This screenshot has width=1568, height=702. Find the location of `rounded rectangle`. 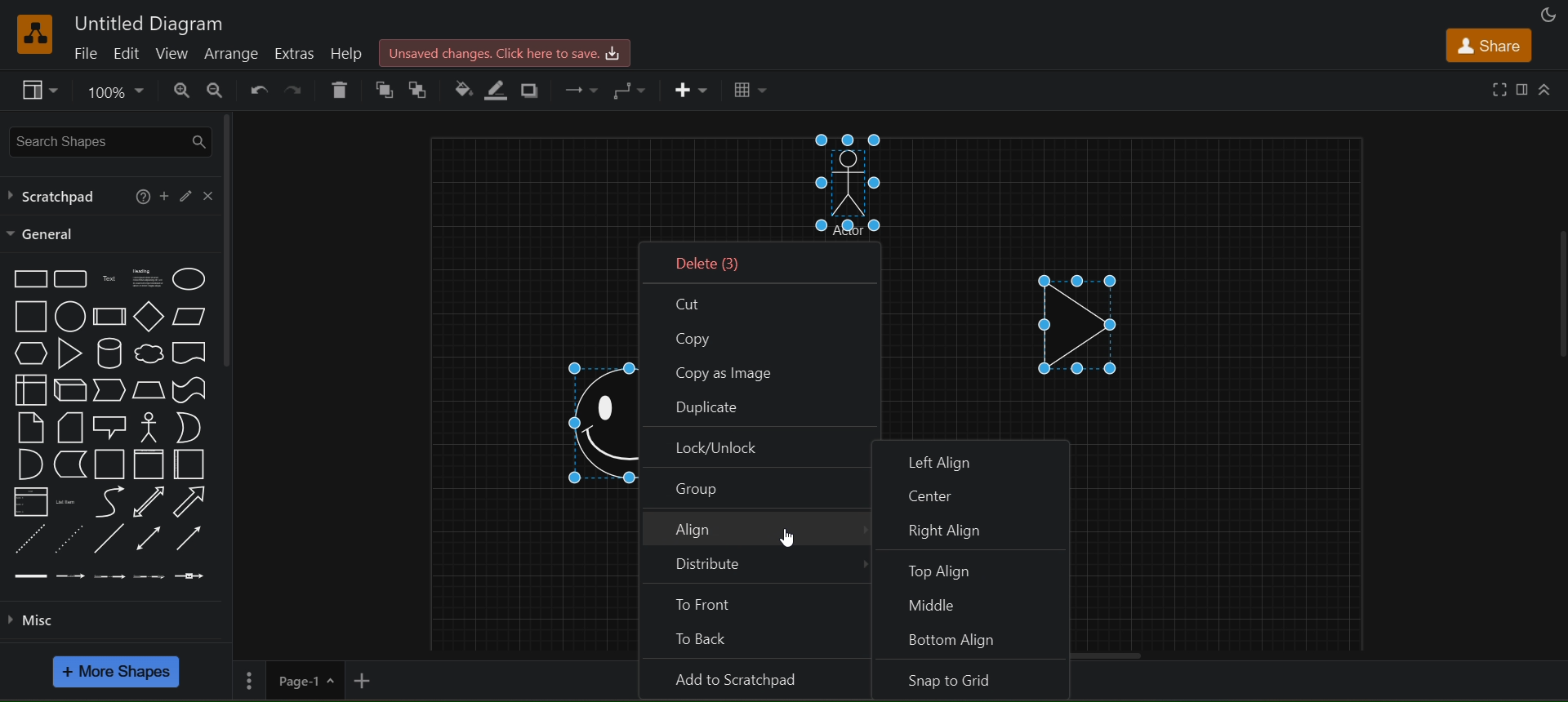

rounded rectangle is located at coordinates (71, 279).